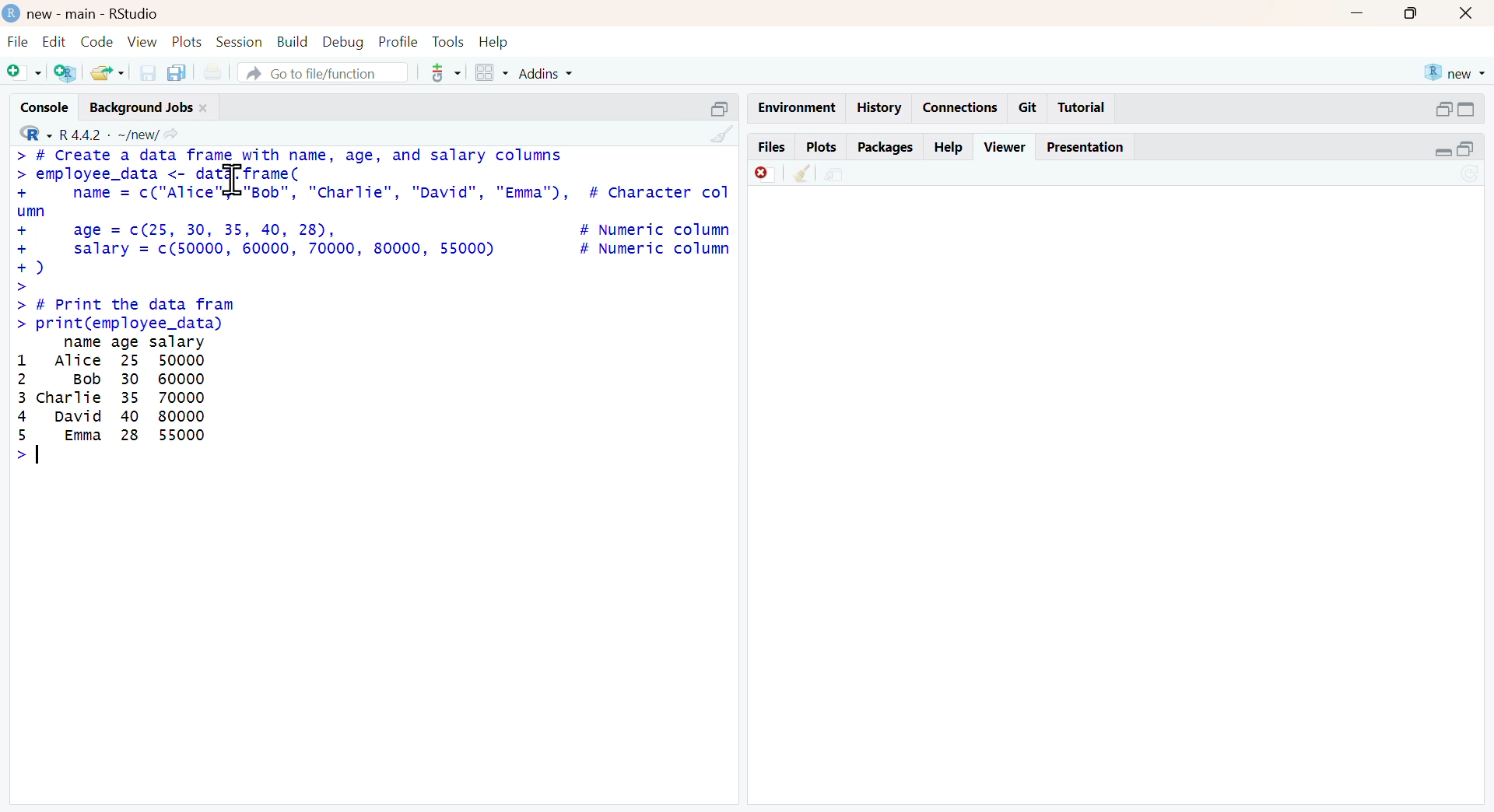  I want to click on save current ile, so click(142, 72).